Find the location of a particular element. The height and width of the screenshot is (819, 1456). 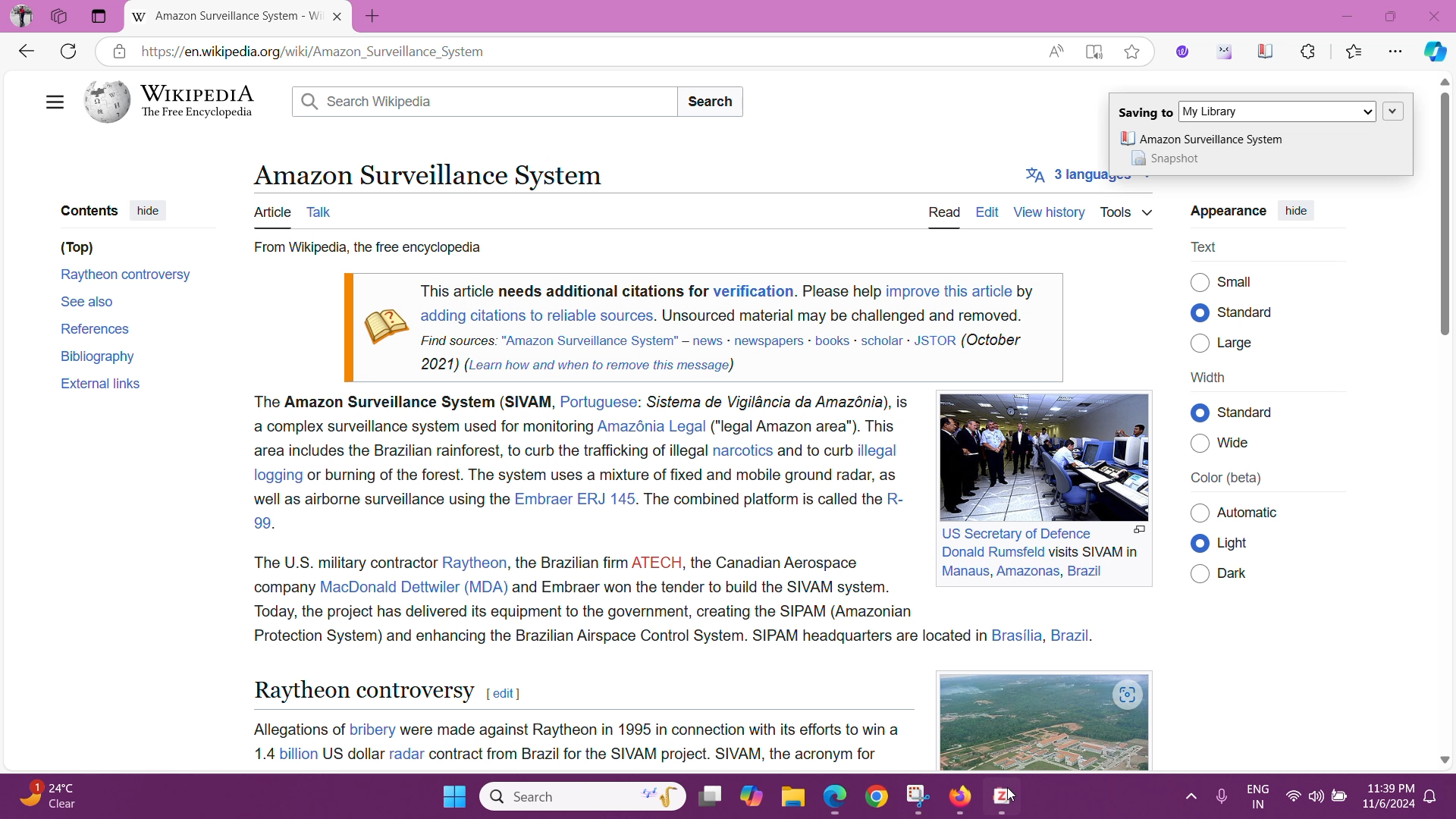

the Brazilian firm ATECH, the Canadian Aerospace is located at coordinates (688, 560).